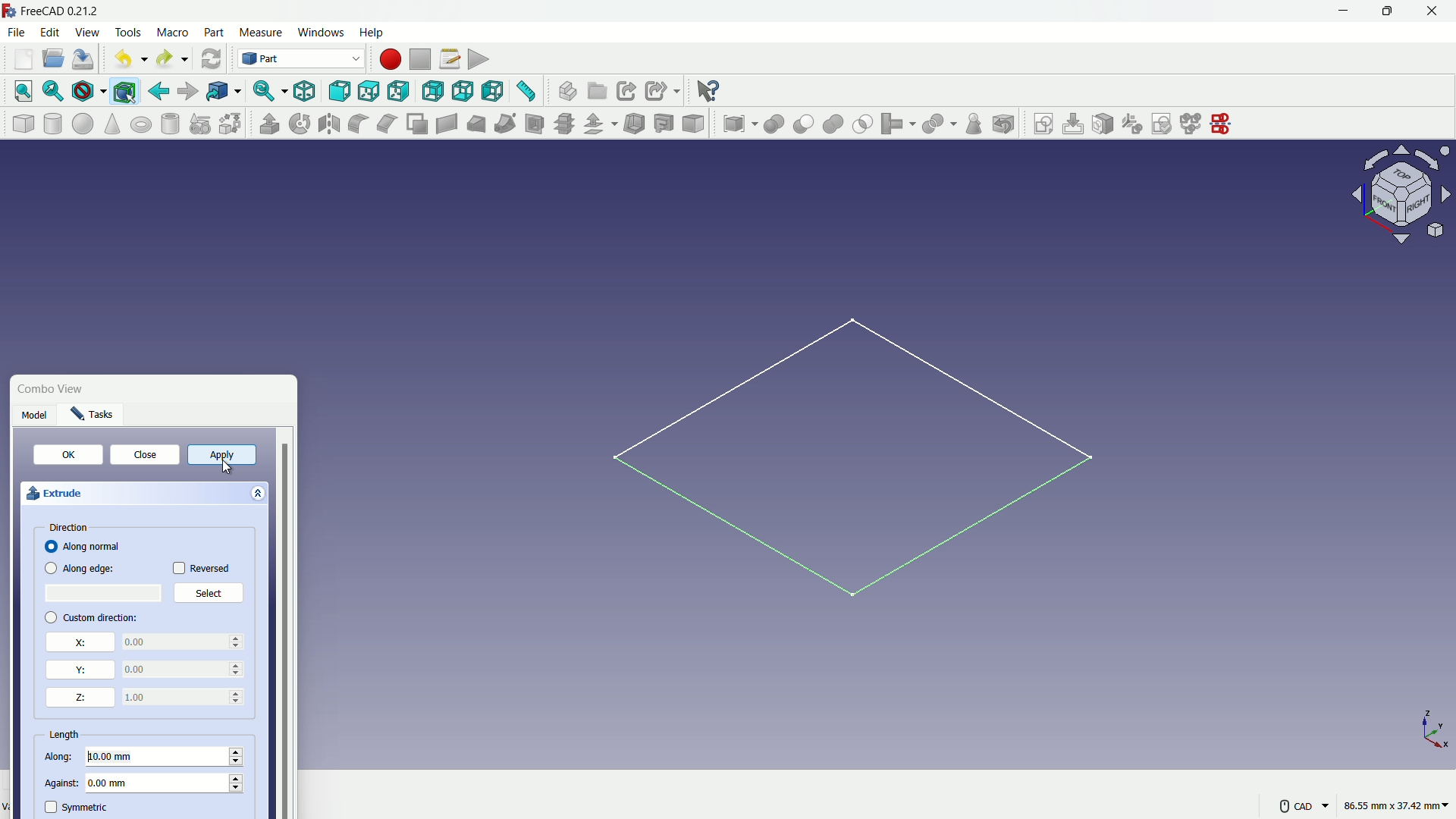  What do you see at coordinates (330, 124) in the screenshot?
I see `mirroring` at bounding box center [330, 124].